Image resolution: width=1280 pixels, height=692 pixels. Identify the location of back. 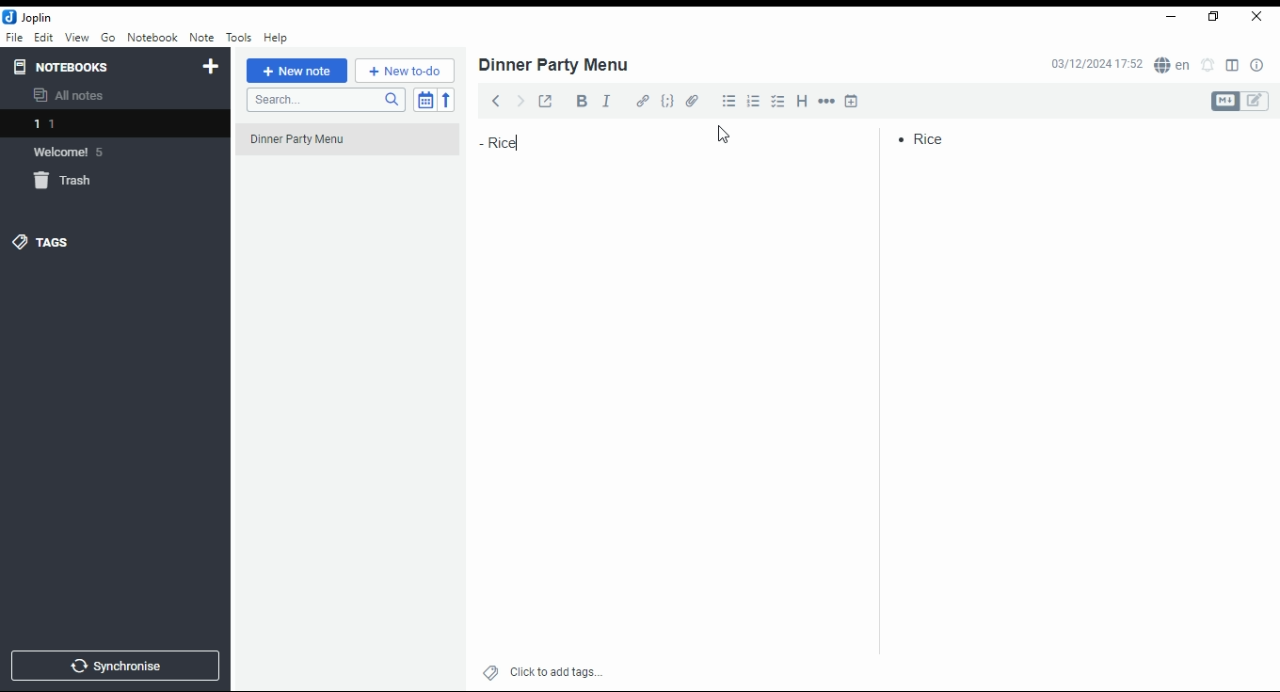
(492, 99).